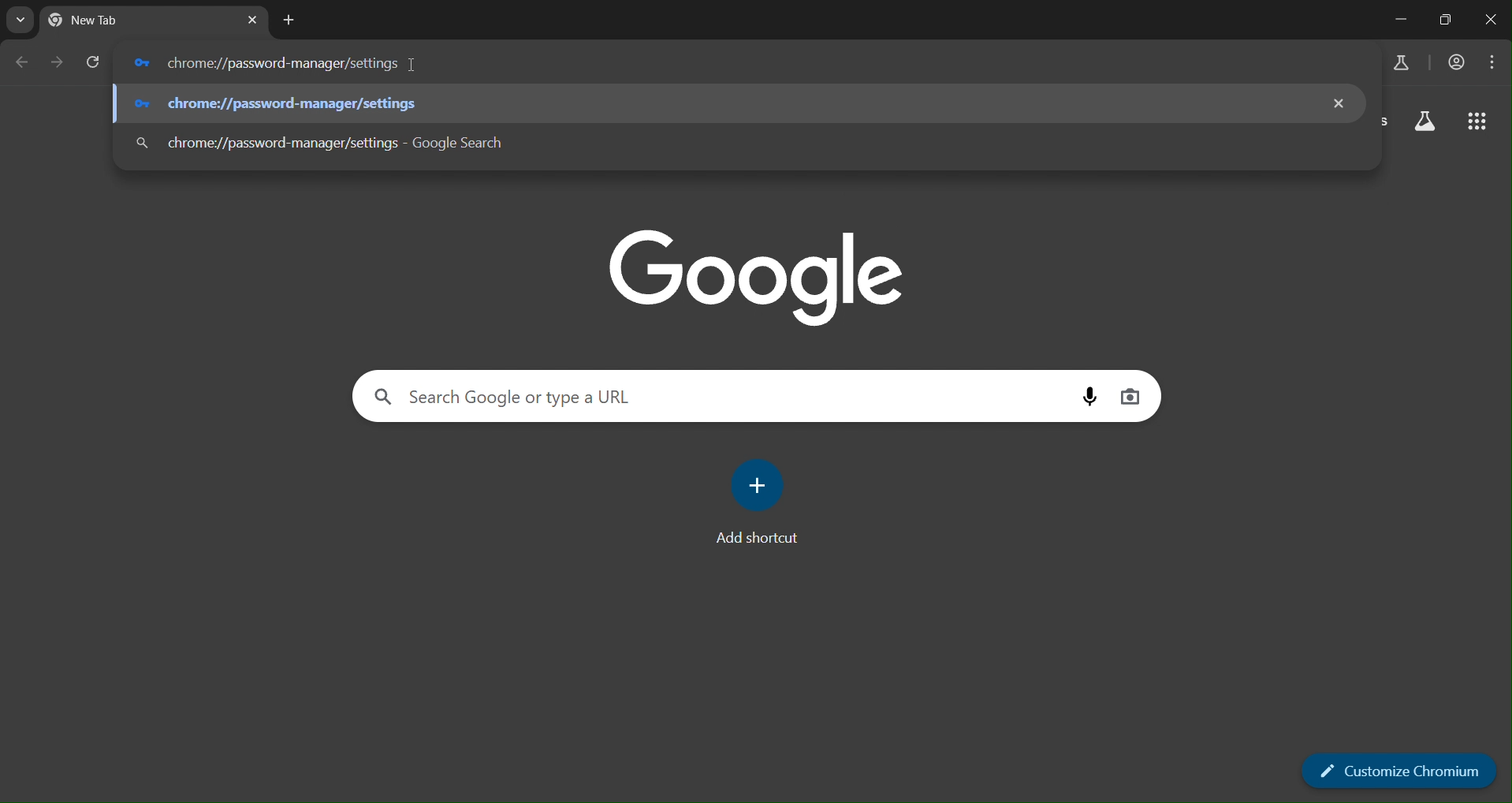  Describe the element at coordinates (746, 62) in the screenshot. I see `chrome://password-manager/settings` at that location.